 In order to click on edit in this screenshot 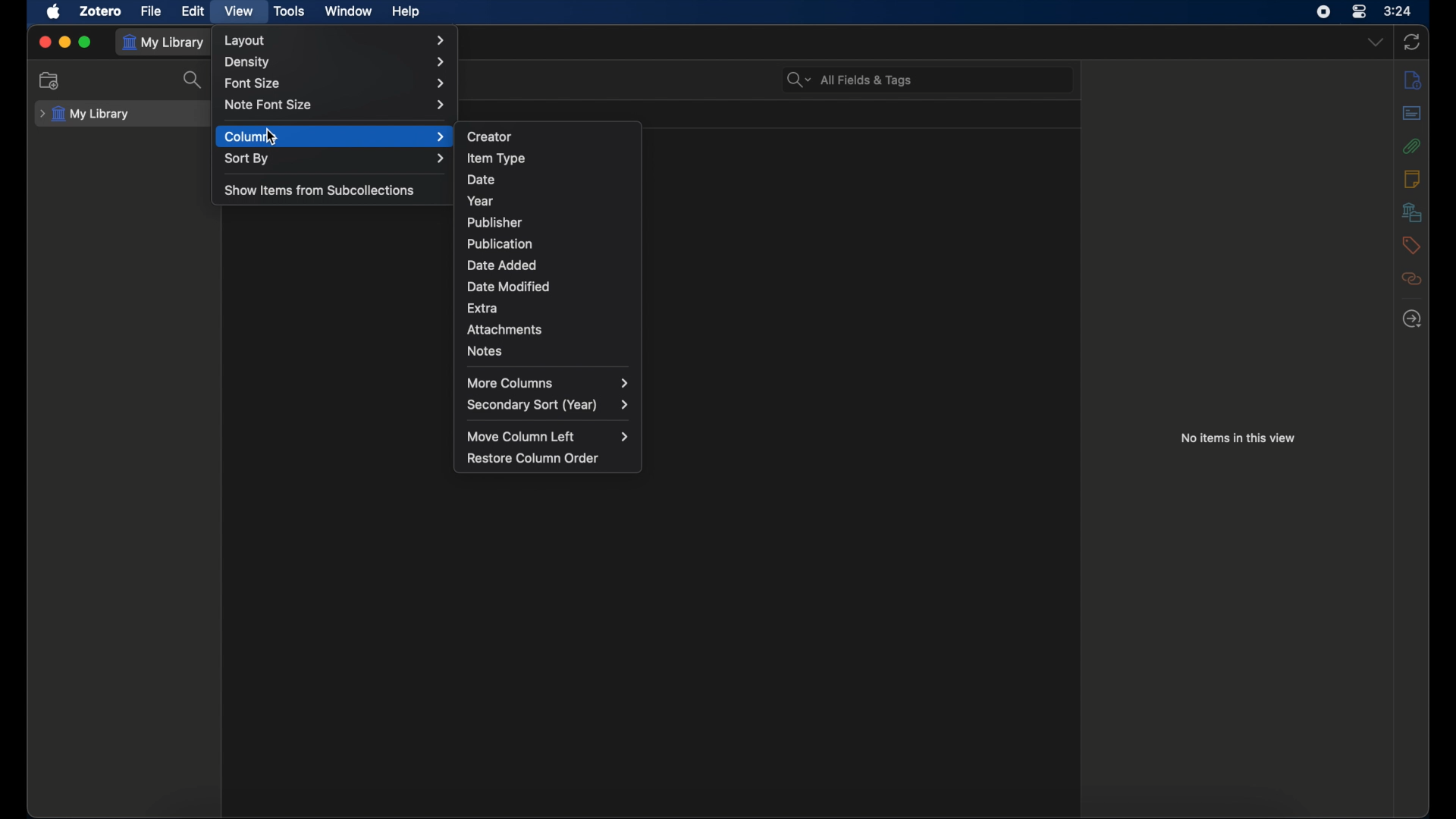, I will do `click(193, 11)`.